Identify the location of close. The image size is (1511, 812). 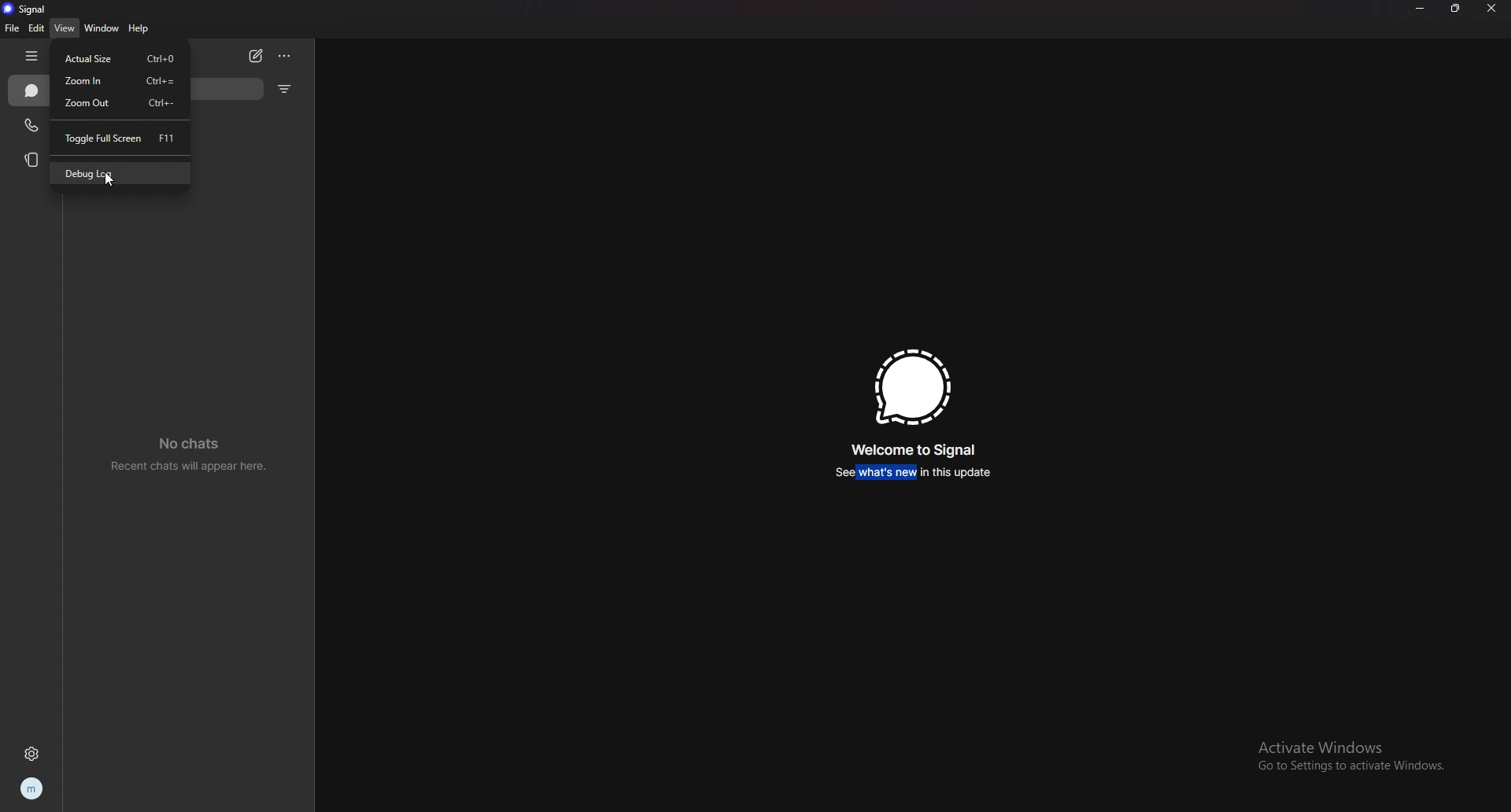
(1493, 8).